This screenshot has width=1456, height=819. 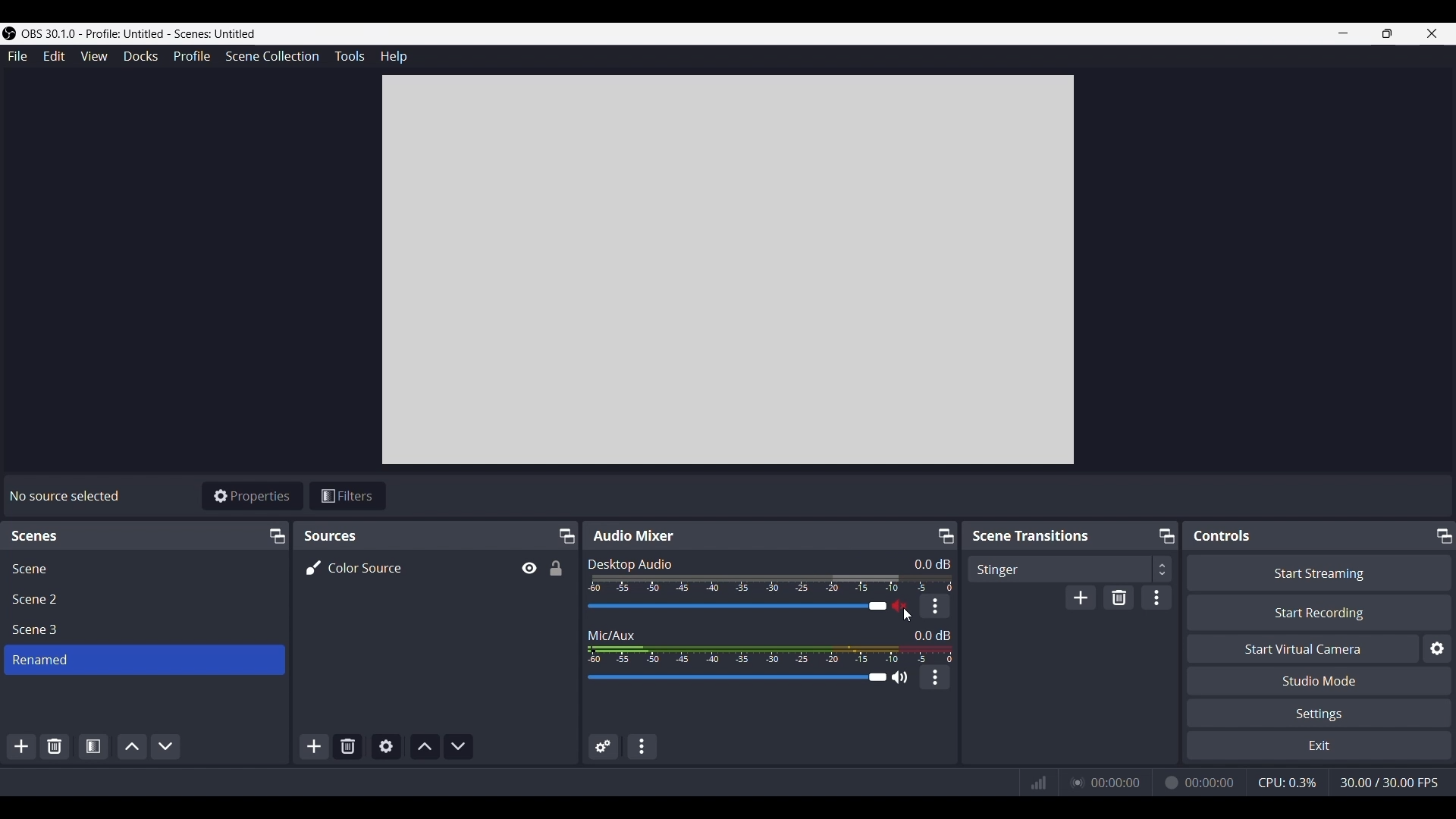 What do you see at coordinates (1198, 782) in the screenshot?
I see `Recorded duration` at bounding box center [1198, 782].